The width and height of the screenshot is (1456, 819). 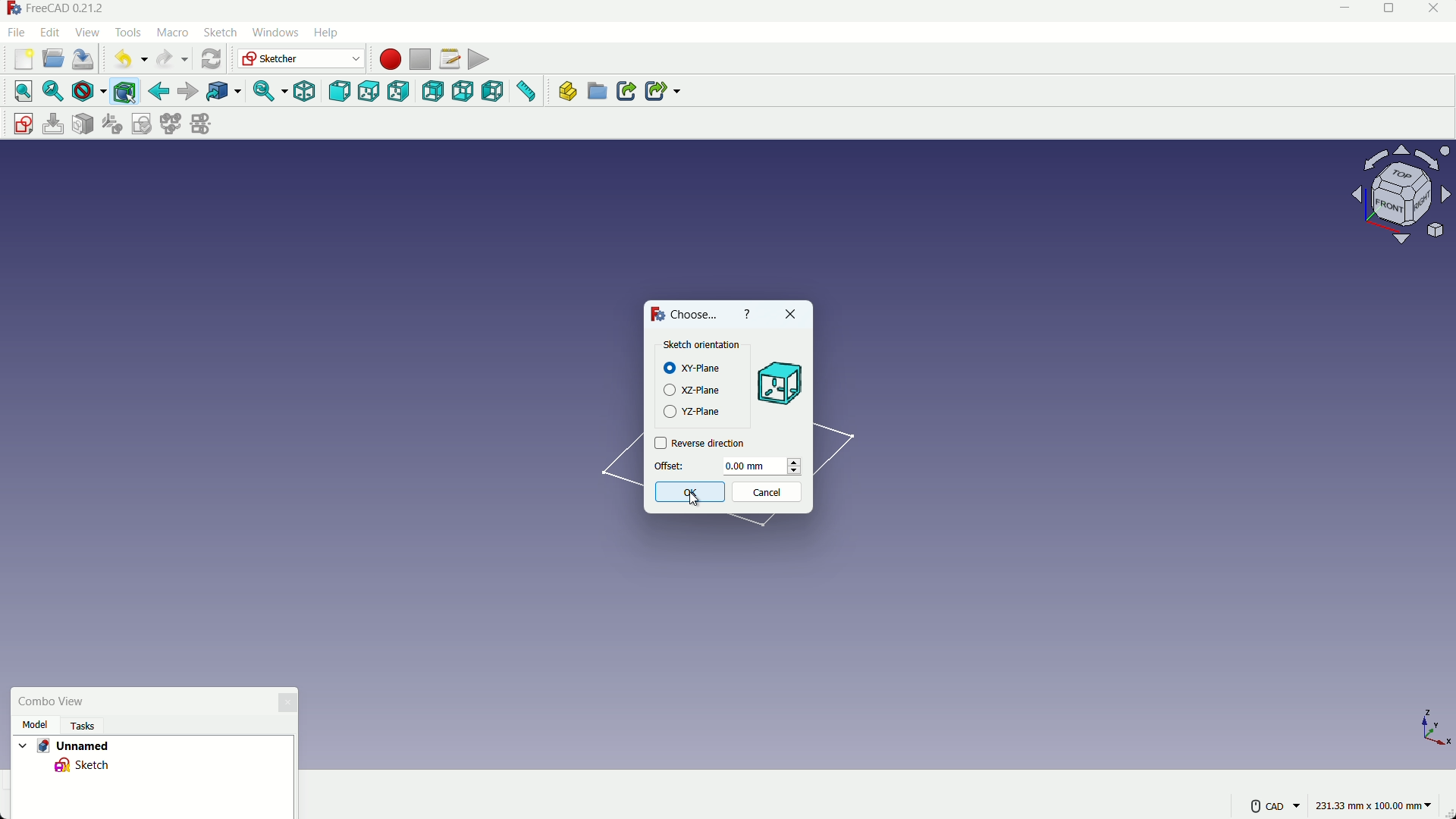 I want to click on create part, so click(x=567, y=91).